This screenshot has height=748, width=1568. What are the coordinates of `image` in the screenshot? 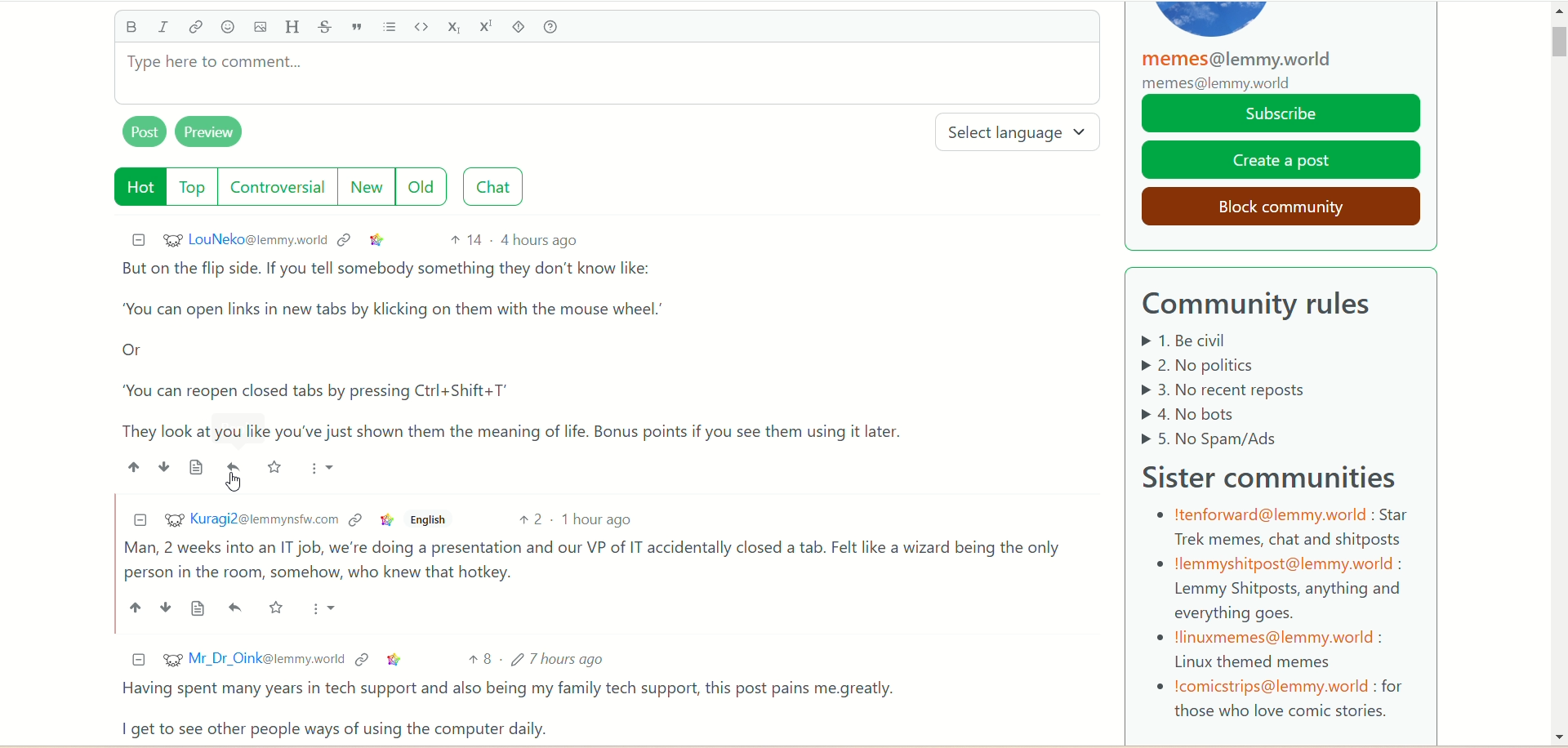 It's located at (259, 29).